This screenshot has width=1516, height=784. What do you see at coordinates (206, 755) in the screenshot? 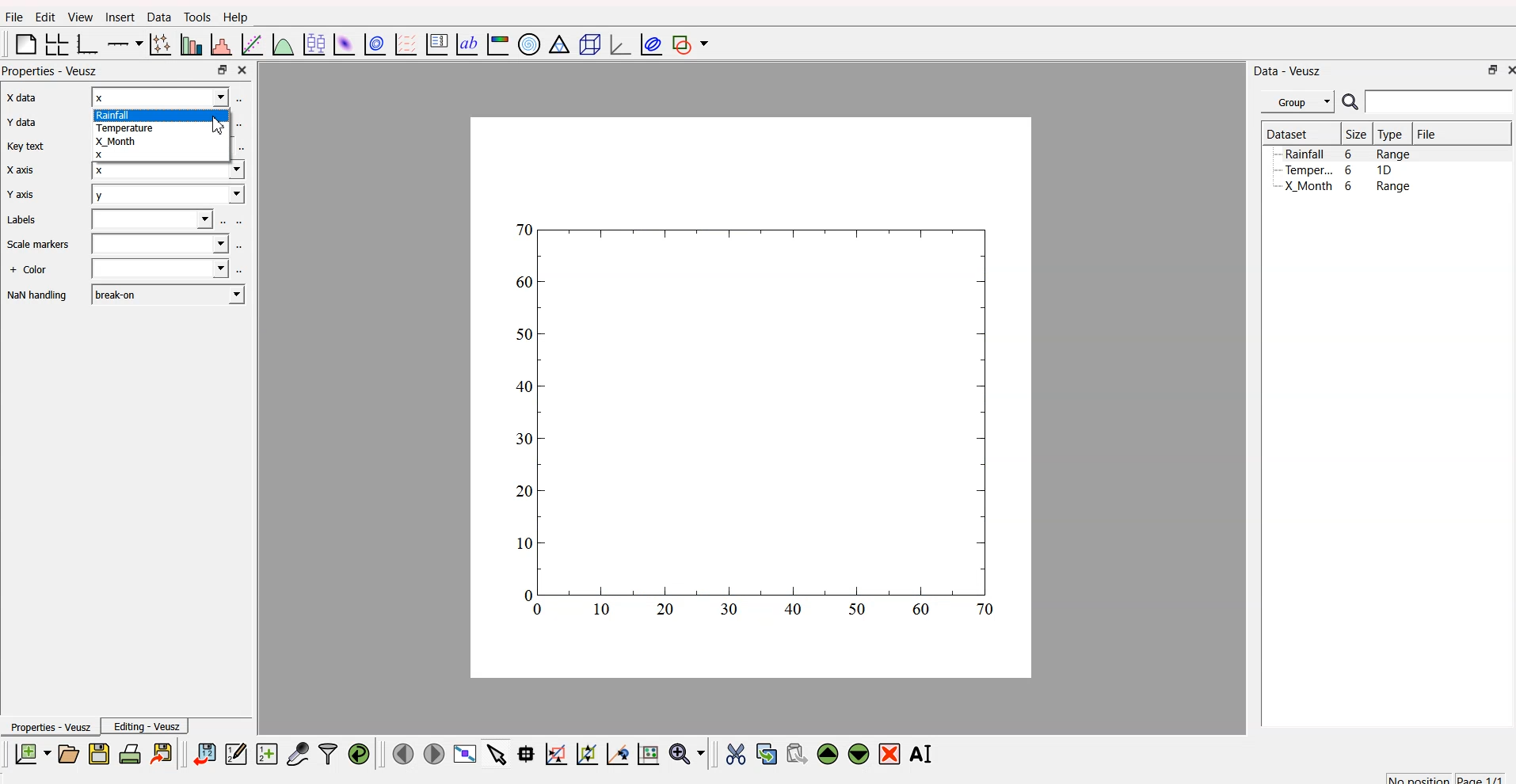
I see `import data` at bounding box center [206, 755].